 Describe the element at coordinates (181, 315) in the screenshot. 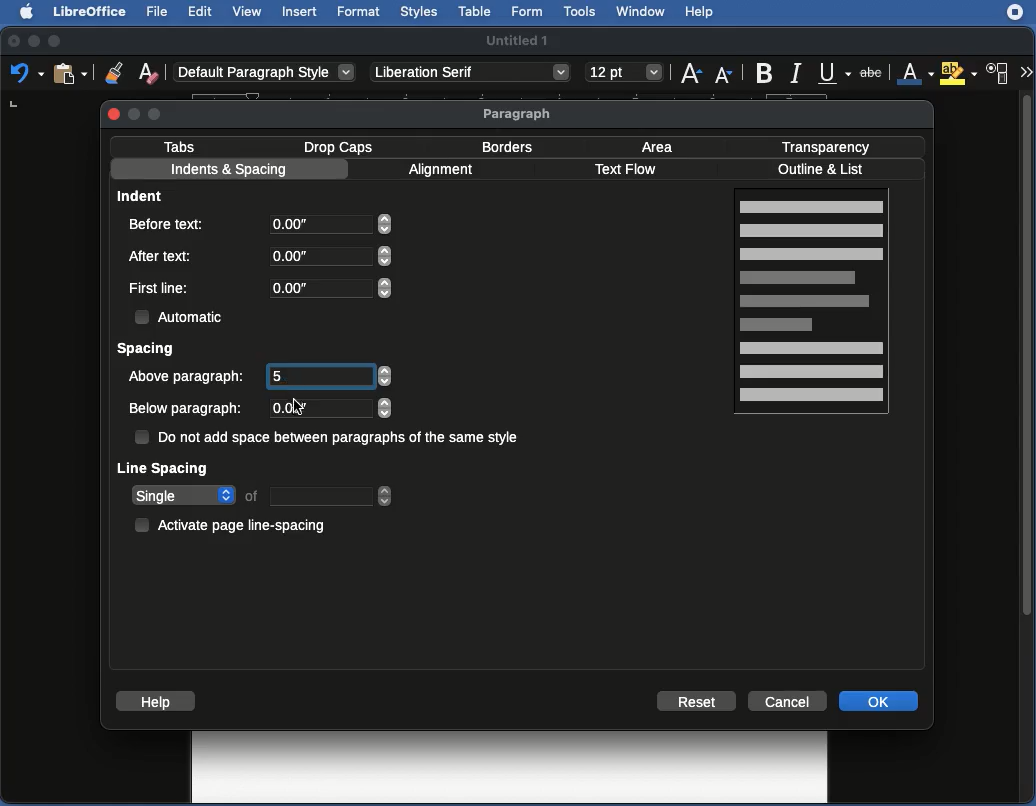

I see `Automatic` at that location.